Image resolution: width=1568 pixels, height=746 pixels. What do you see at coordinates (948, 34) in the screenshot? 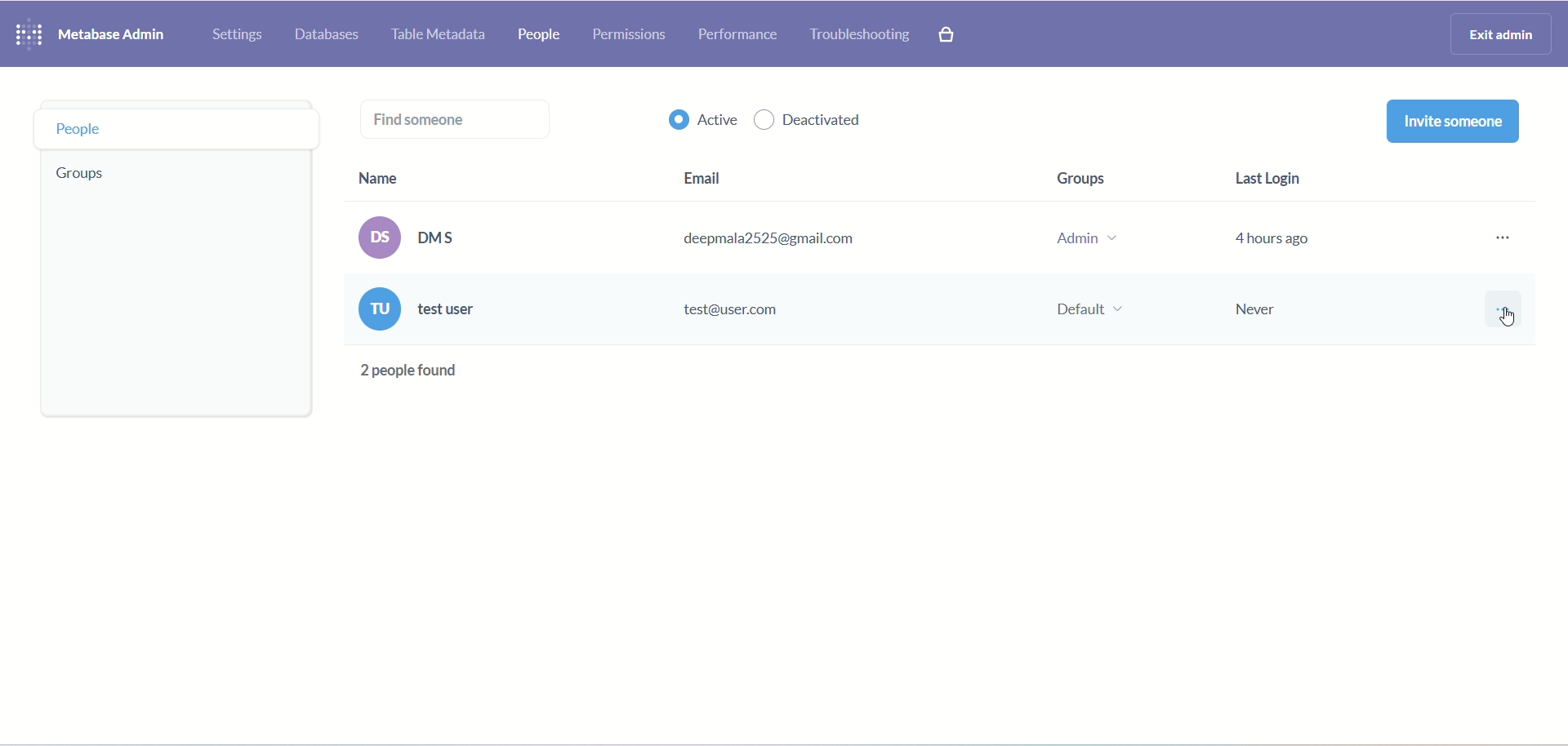
I see `paid features` at bounding box center [948, 34].